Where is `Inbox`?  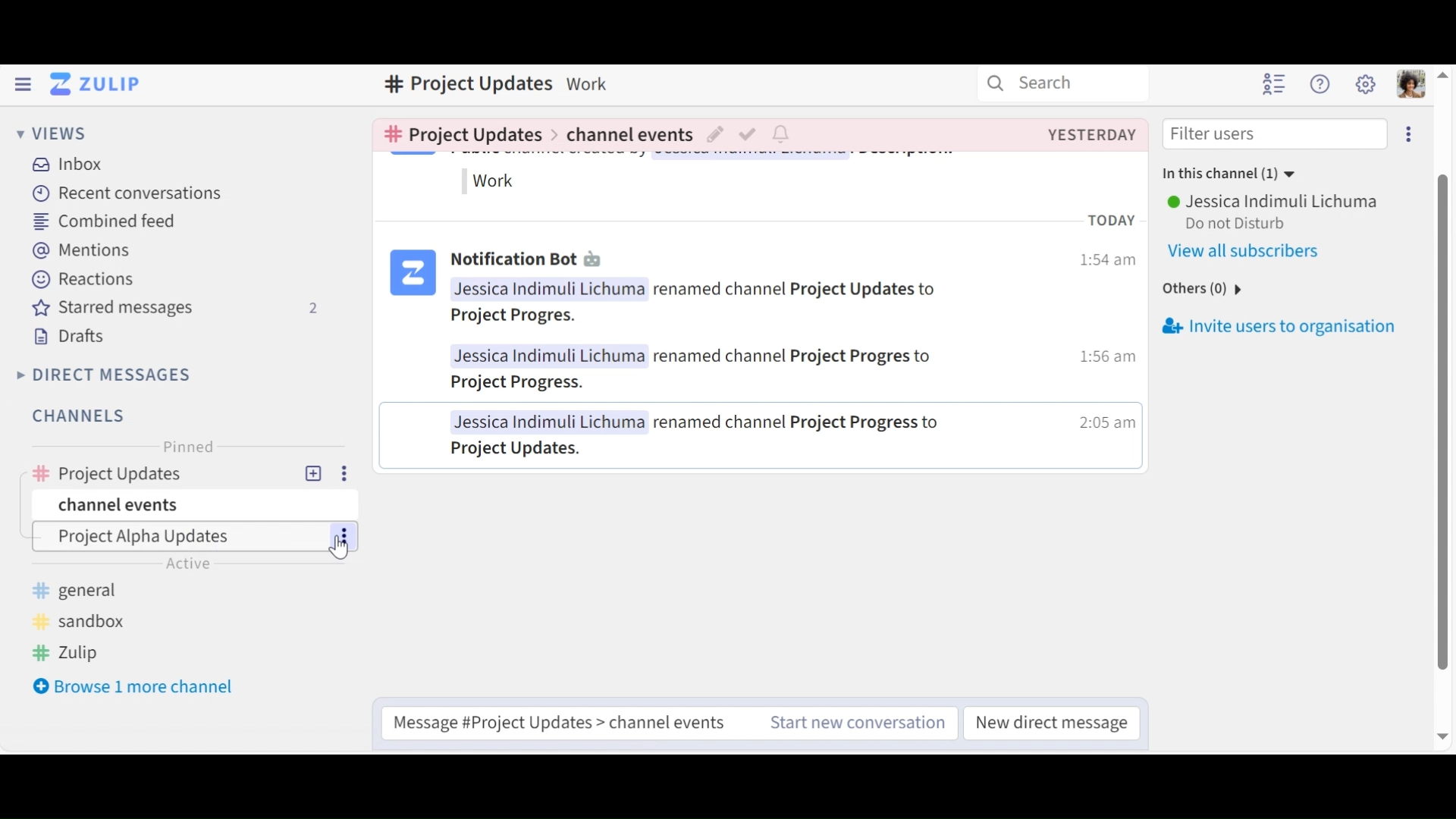 Inbox is located at coordinates (65, 166).